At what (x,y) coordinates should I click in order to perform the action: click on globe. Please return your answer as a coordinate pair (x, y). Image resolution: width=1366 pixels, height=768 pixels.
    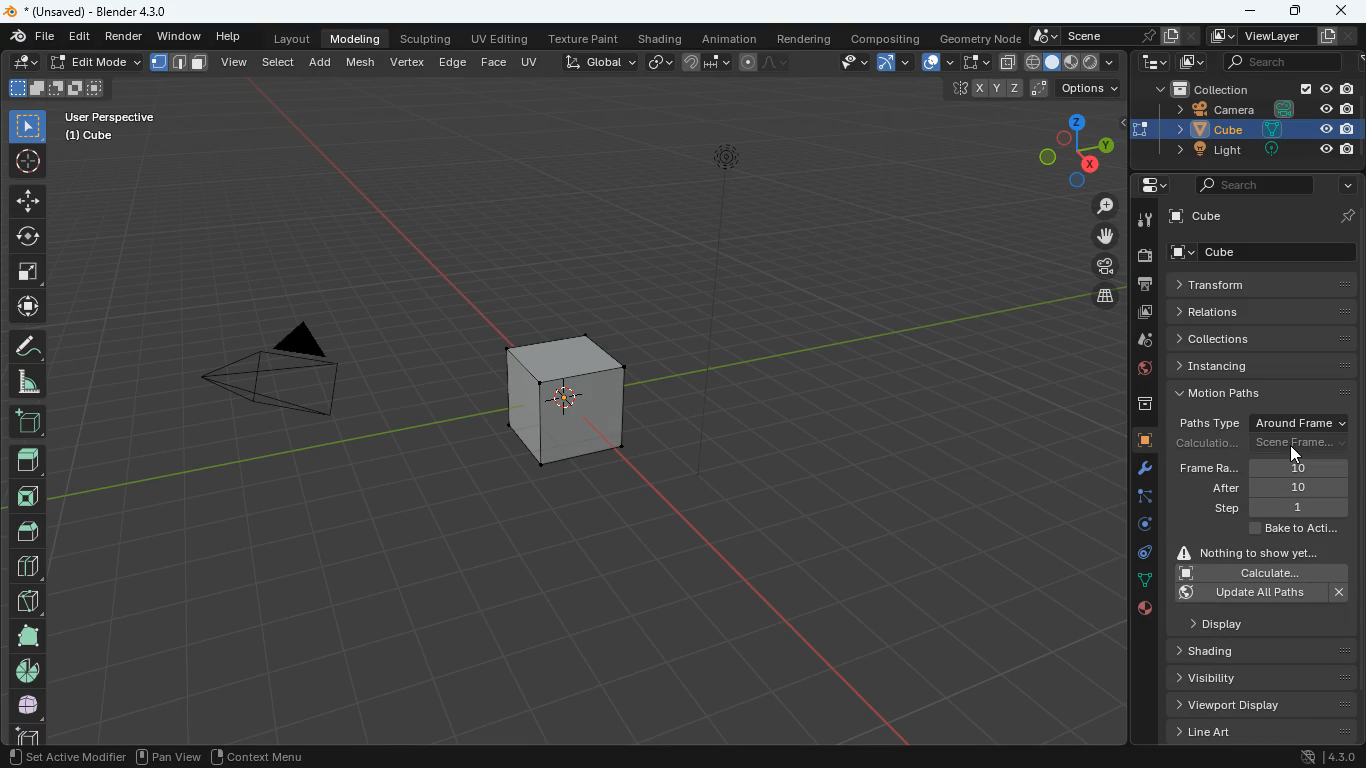
    Looking at the image, I should click on (1145, 371).